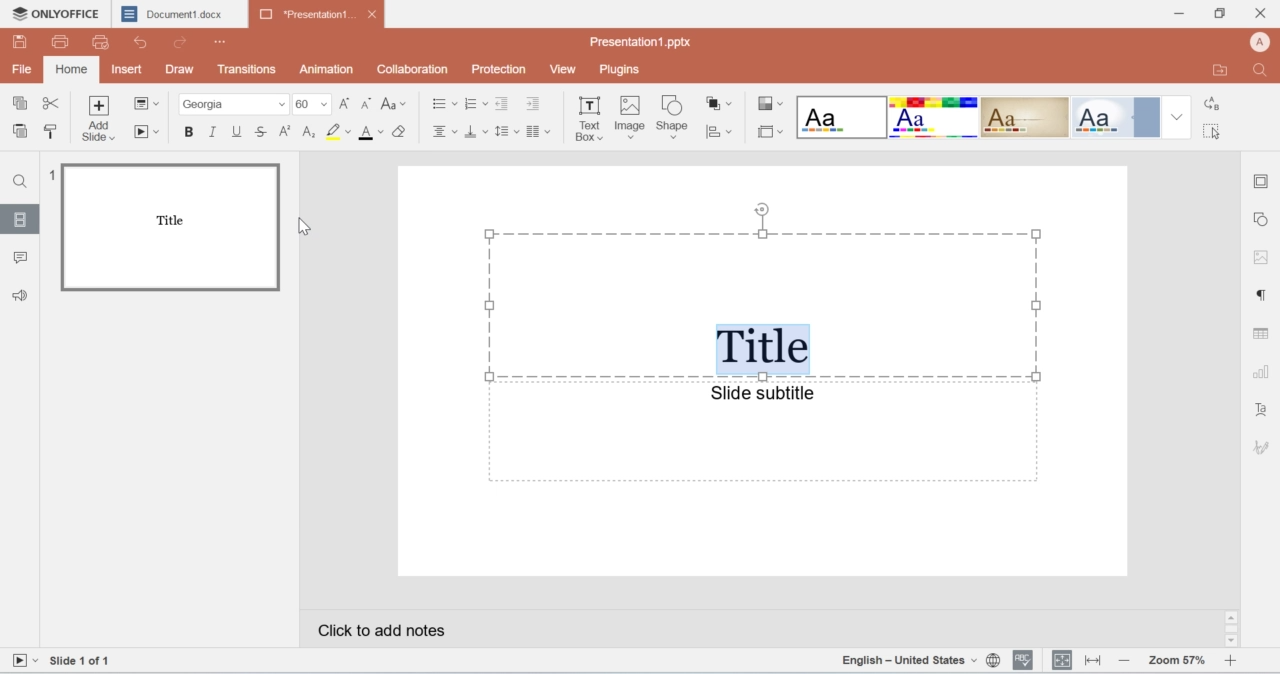  What do you see at coordinates (179, 13) in the screenshot?
I see `Document1.docx` at bounding box center [179, 13].